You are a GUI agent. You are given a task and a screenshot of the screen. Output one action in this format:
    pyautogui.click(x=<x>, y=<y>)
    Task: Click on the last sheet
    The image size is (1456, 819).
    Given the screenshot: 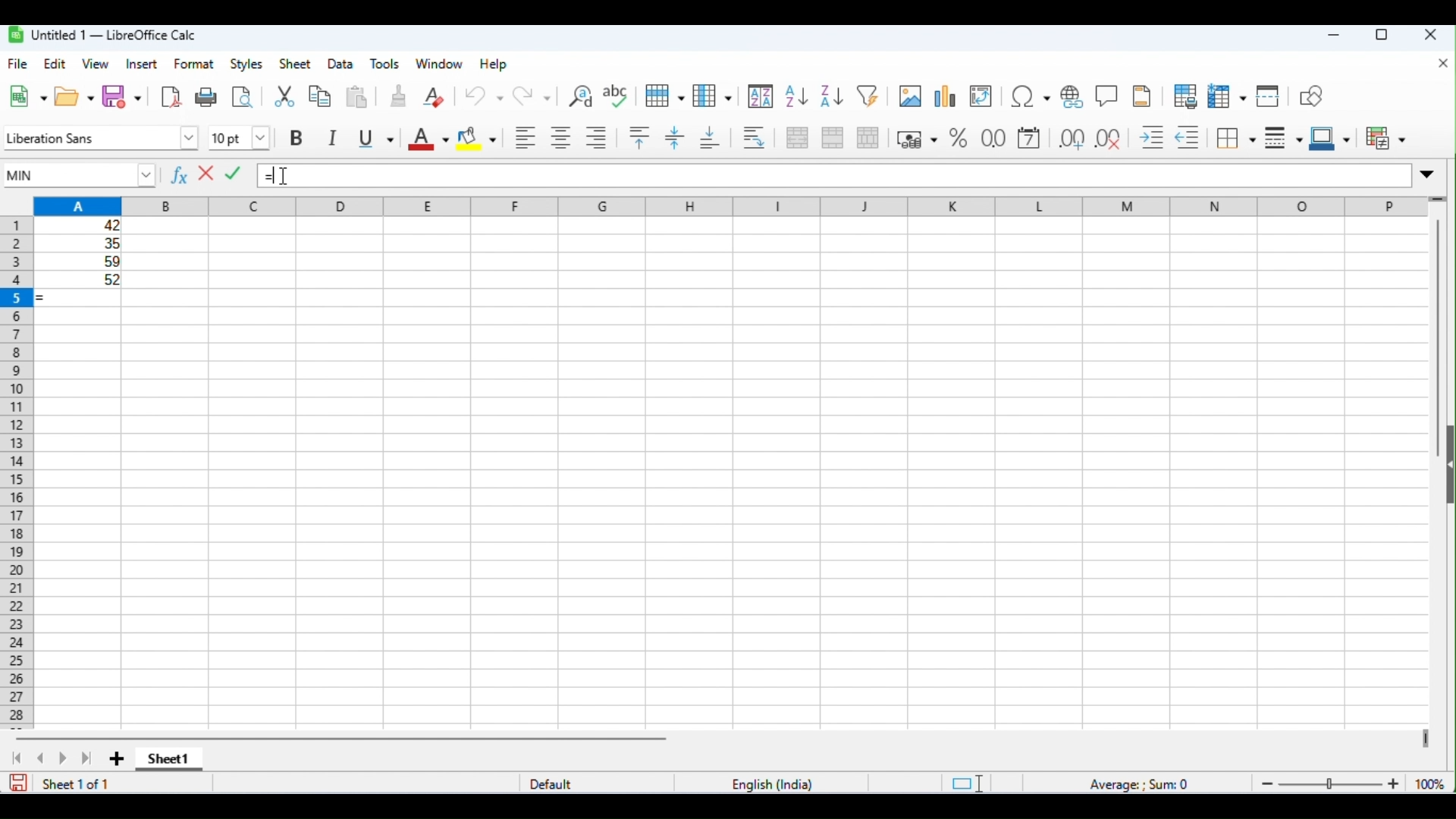 What is the action you would take?
    pyautogui.click(x=88, y=760)
    